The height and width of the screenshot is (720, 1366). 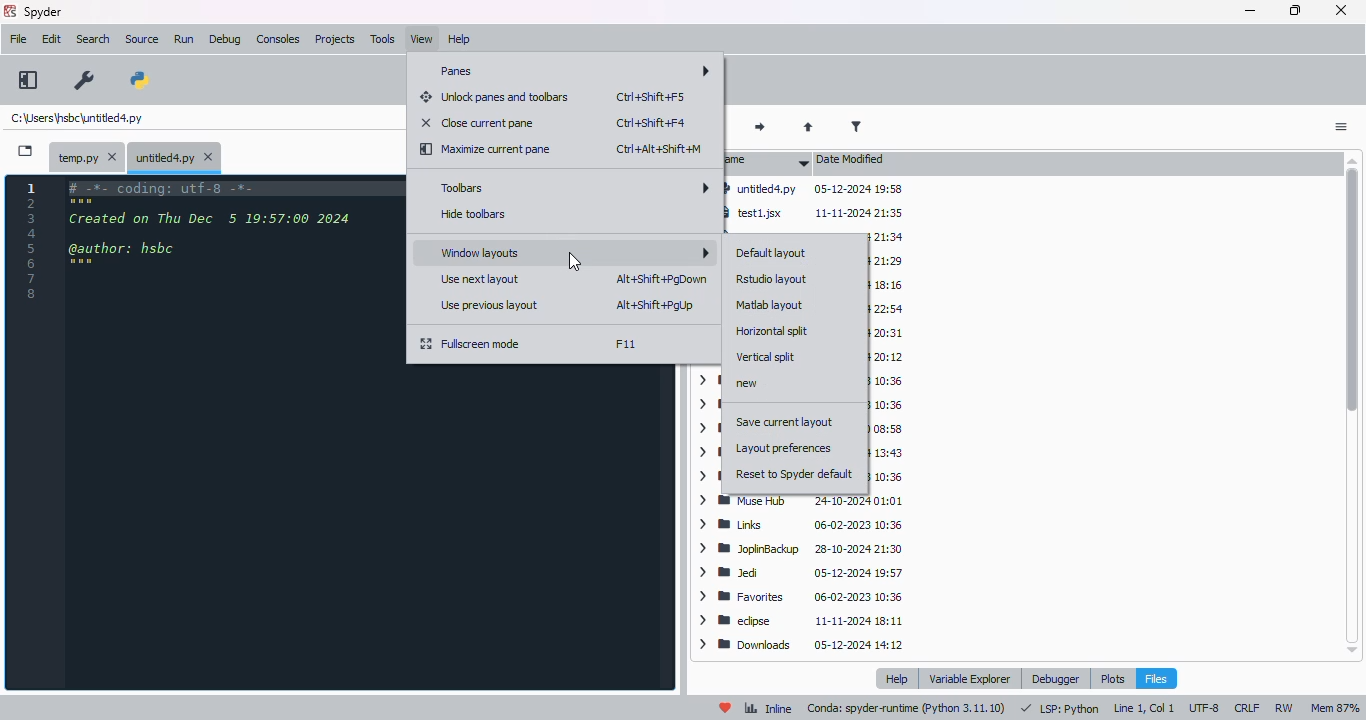 What do you see at coordinates (335, 39) in the screenshot?
I see `projects` at bounding box center [335, 39].